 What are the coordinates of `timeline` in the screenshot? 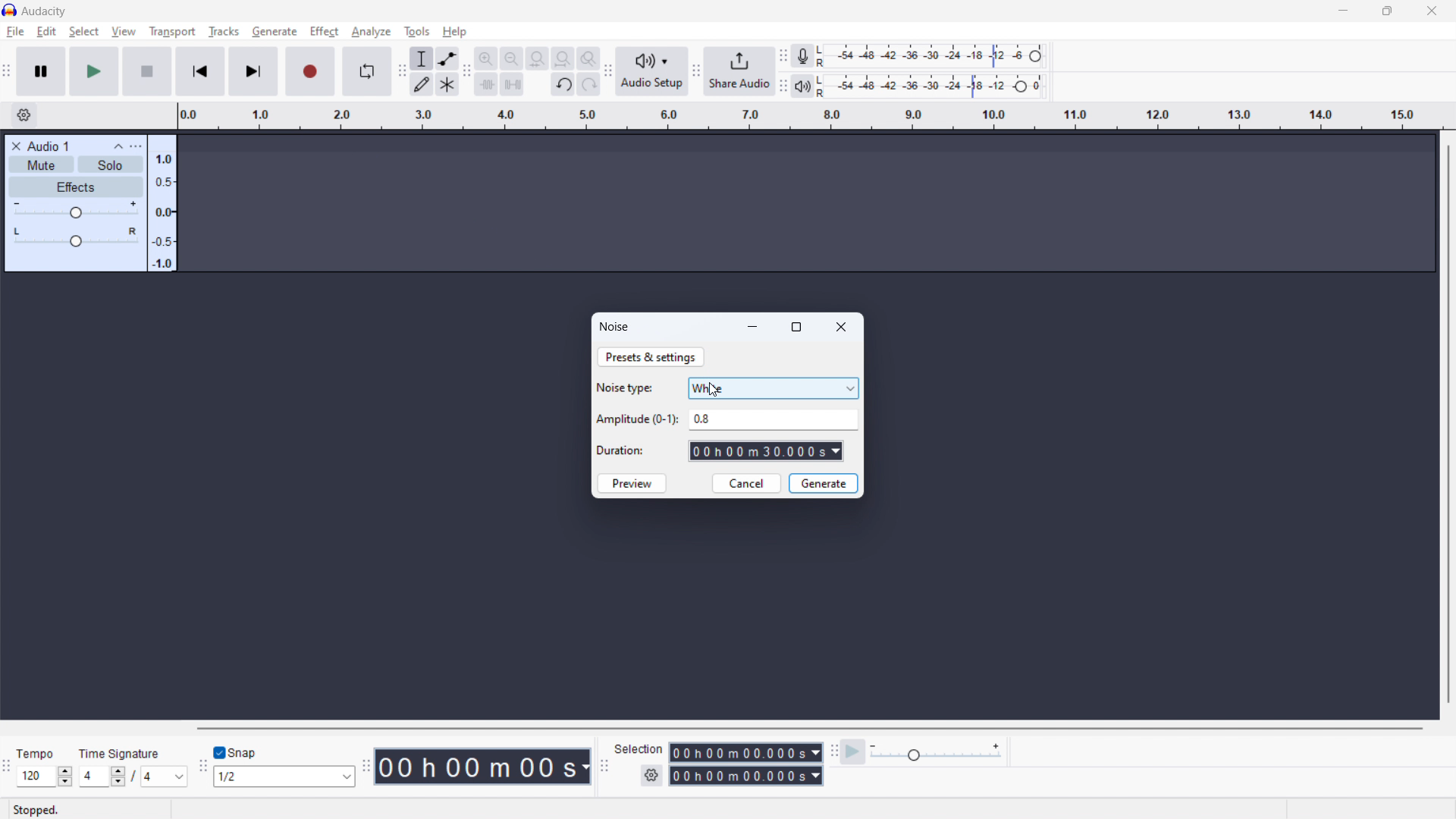 It's located at (808, 117).